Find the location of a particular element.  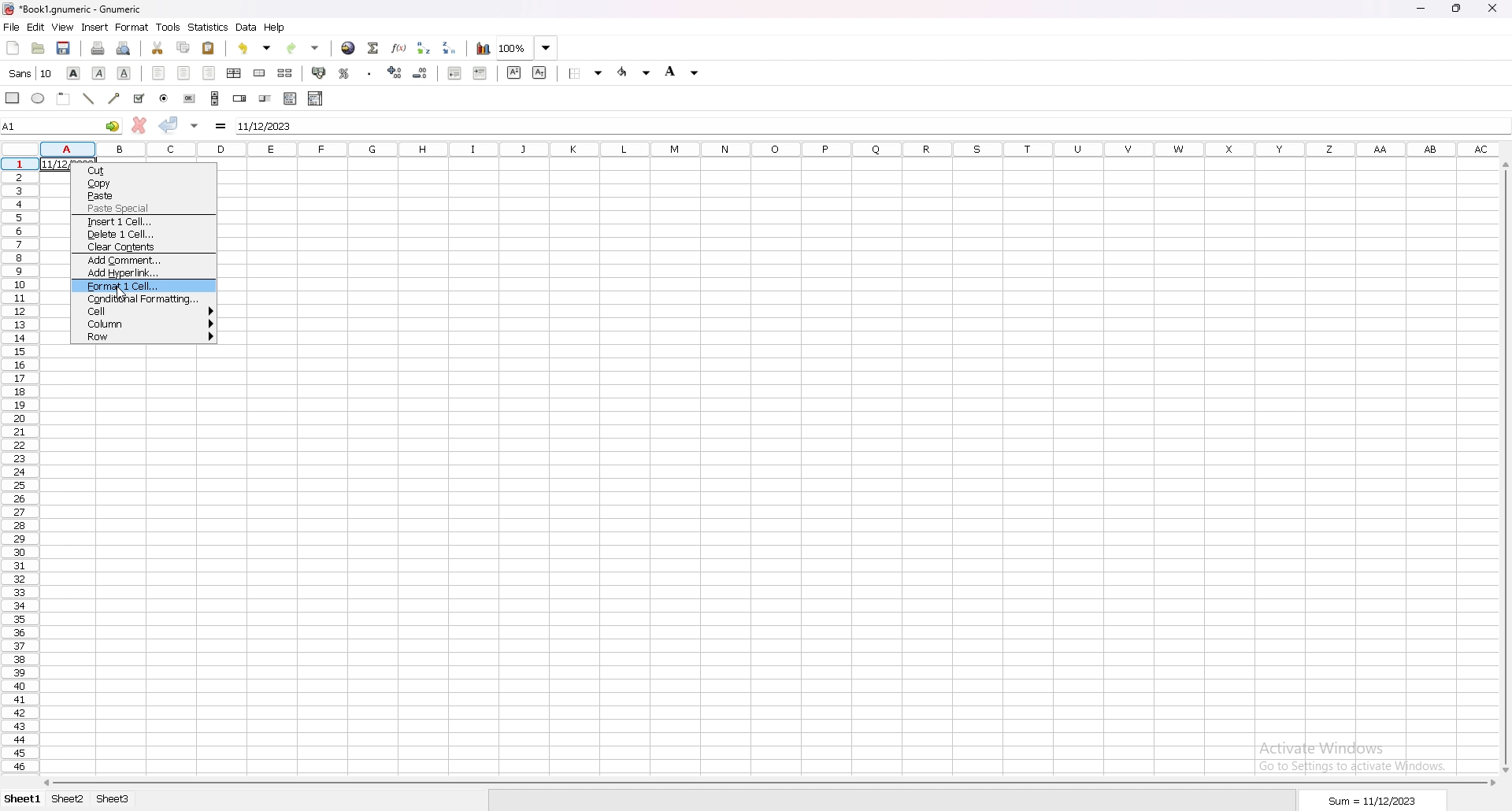

button is located at coordinates (189, 98).